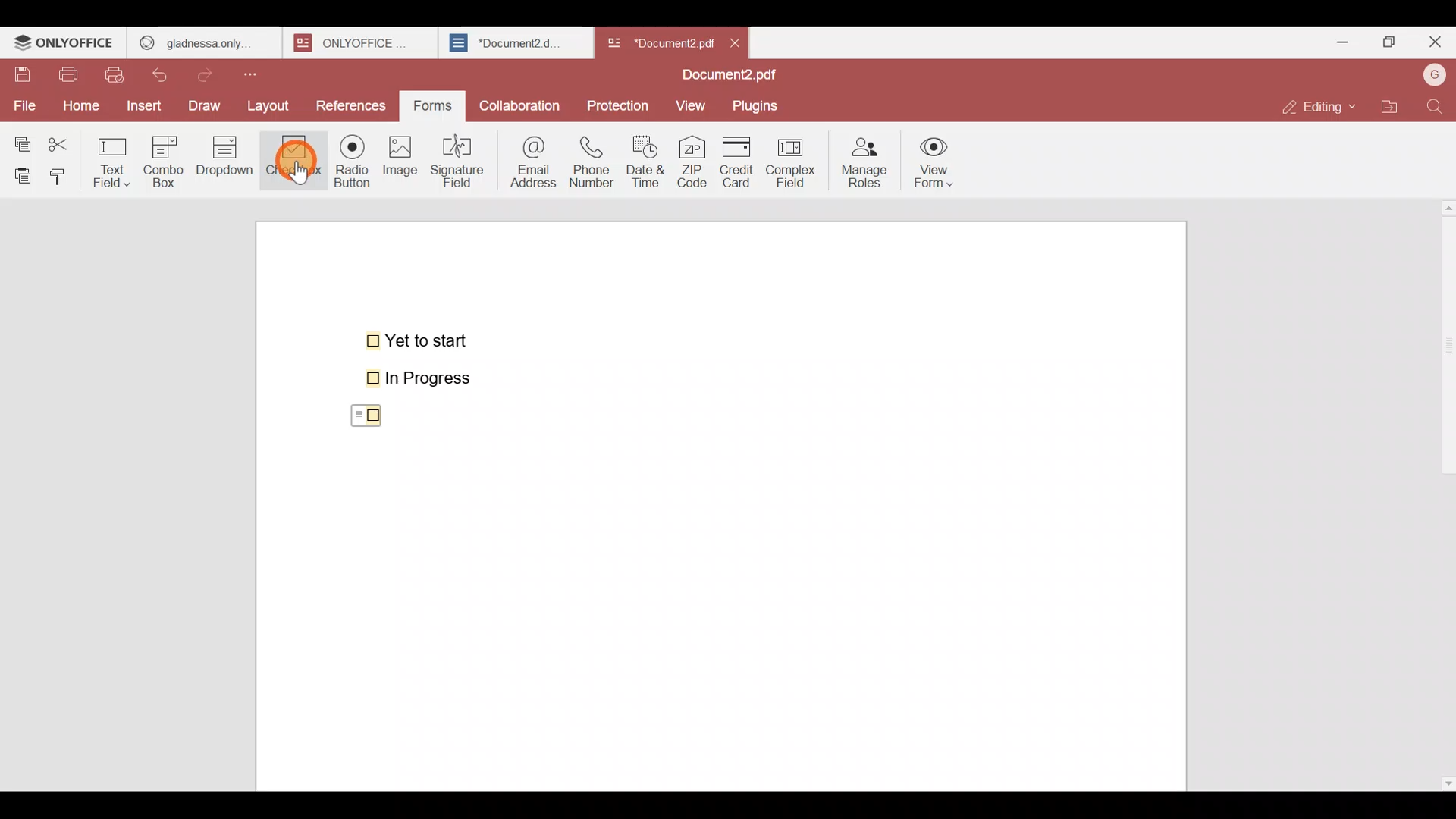 The height and width of the screenshot is (819, 1456). I want to click on Print file, so click(71, 76).